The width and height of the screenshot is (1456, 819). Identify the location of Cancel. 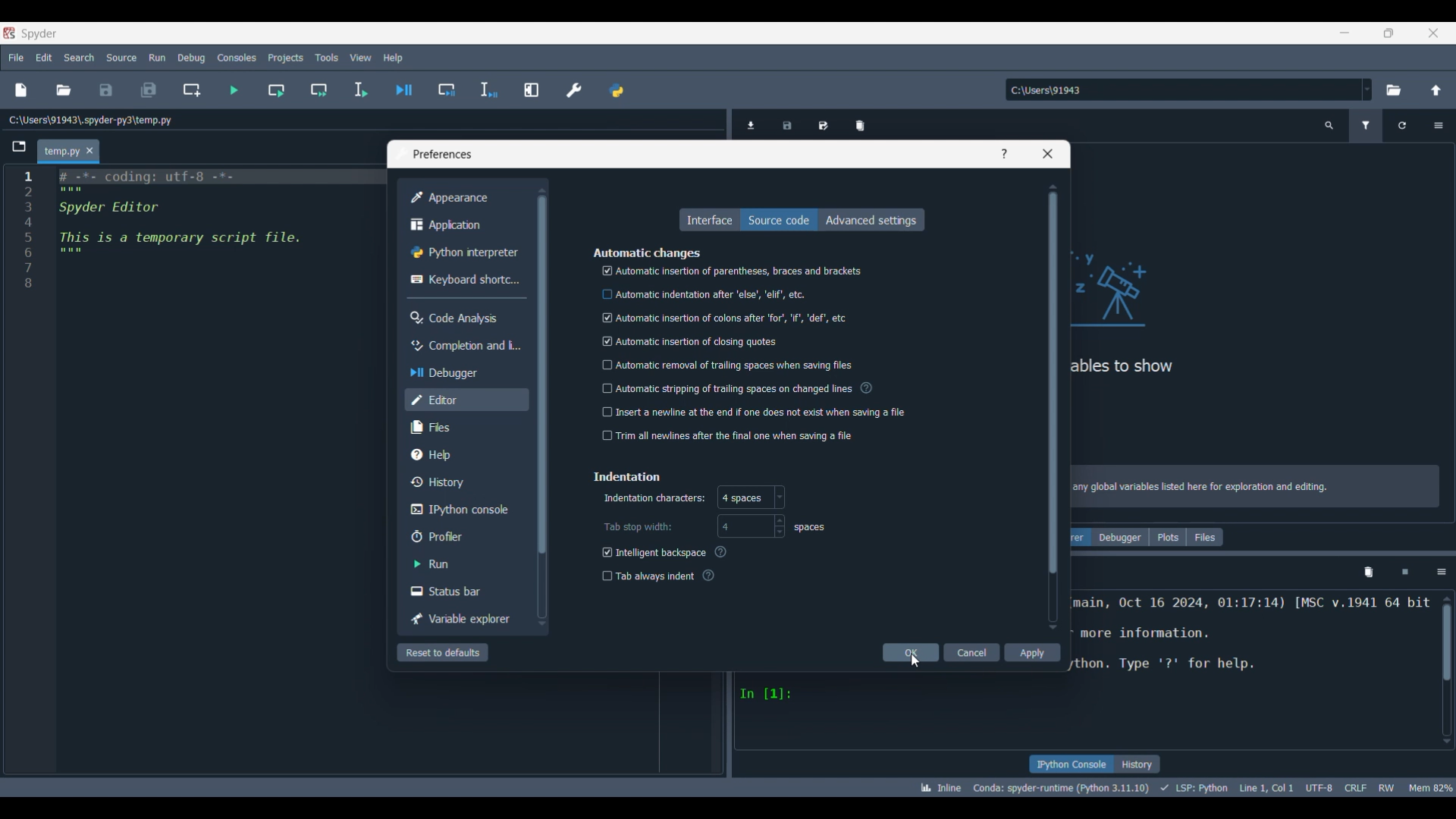
(971, 652).